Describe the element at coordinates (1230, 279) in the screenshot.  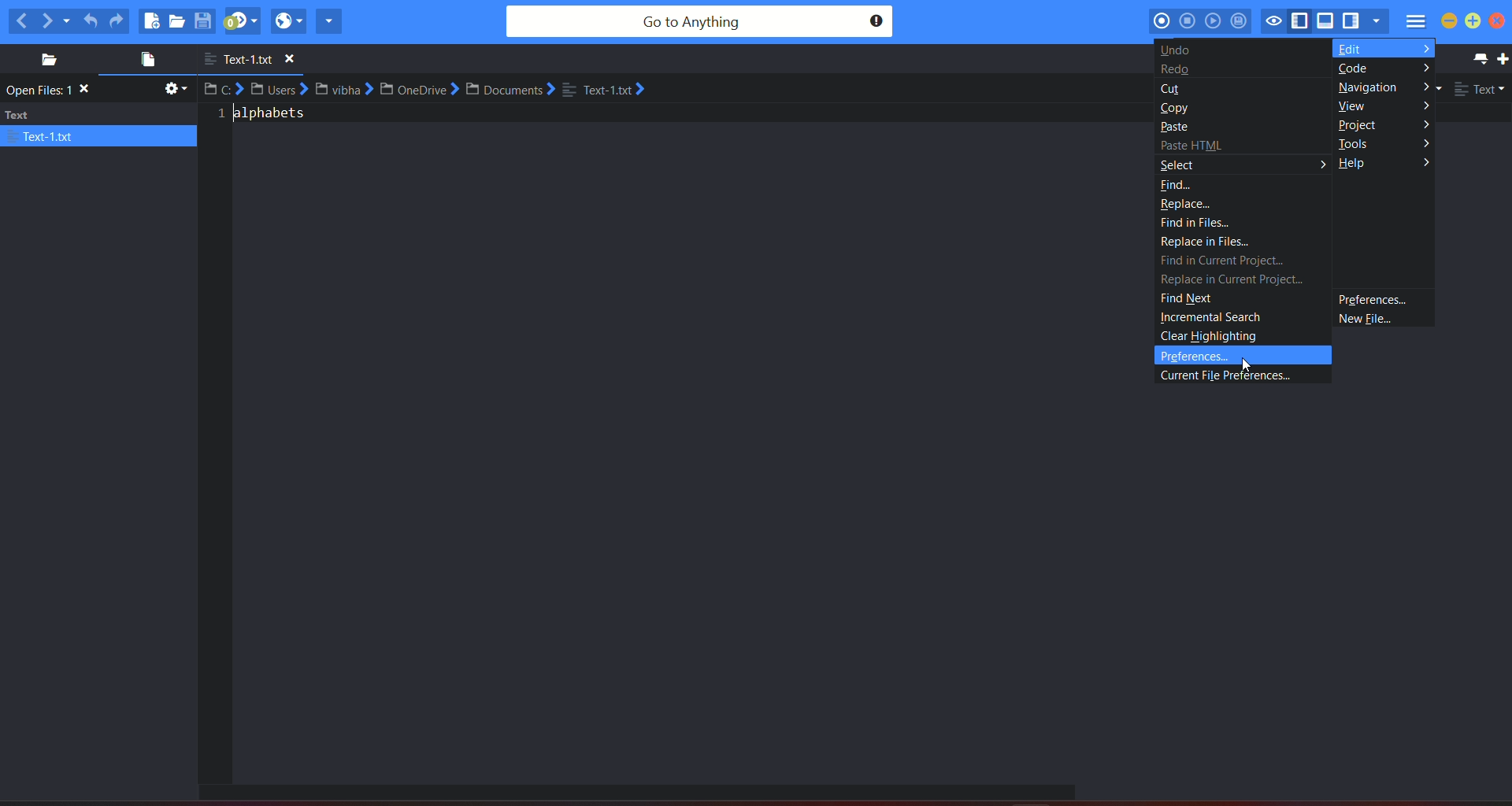
I see `replace in current project` at that location.